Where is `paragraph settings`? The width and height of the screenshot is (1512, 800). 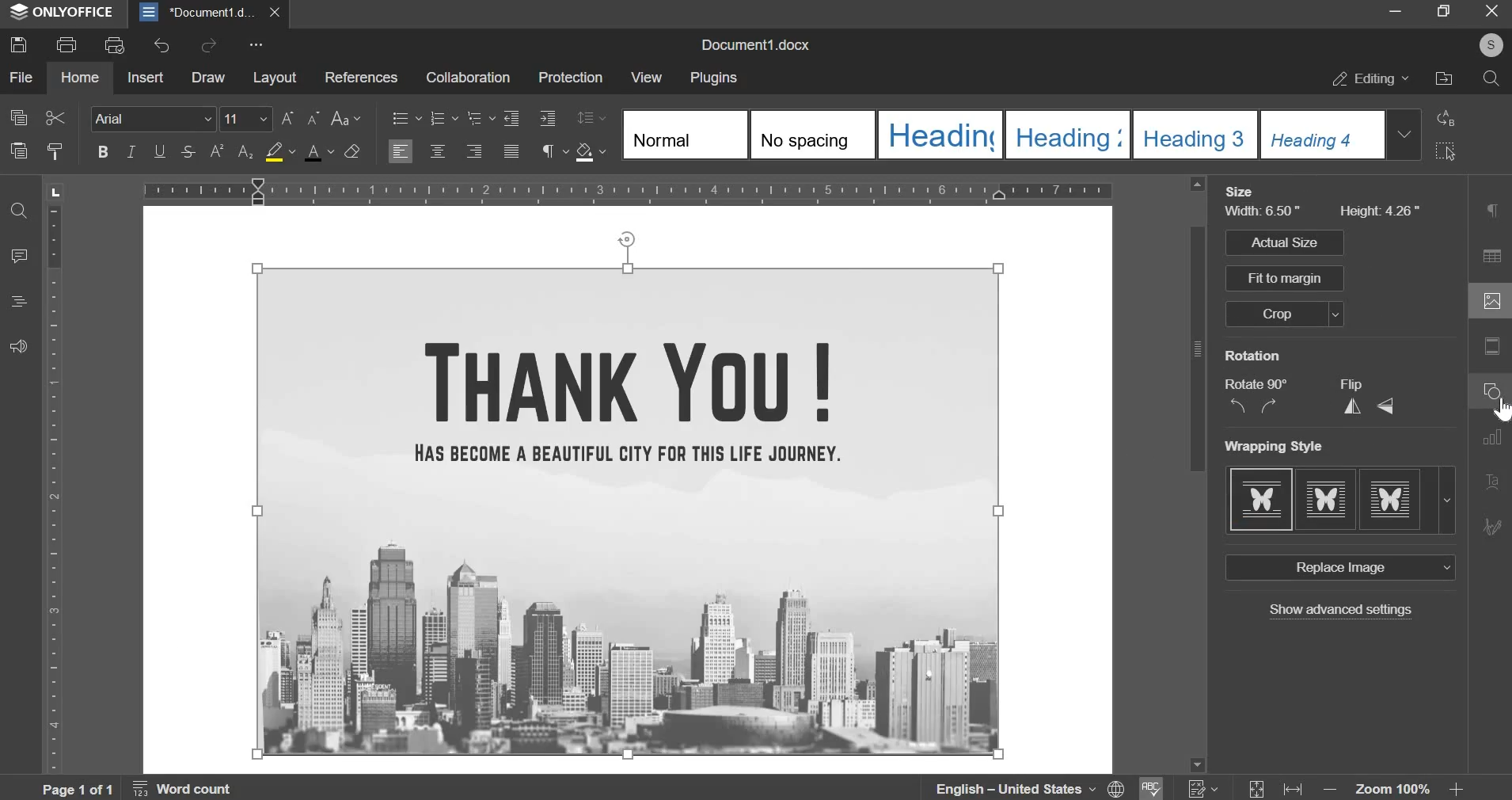
paragraph settings is located at coordinates (553, 151).